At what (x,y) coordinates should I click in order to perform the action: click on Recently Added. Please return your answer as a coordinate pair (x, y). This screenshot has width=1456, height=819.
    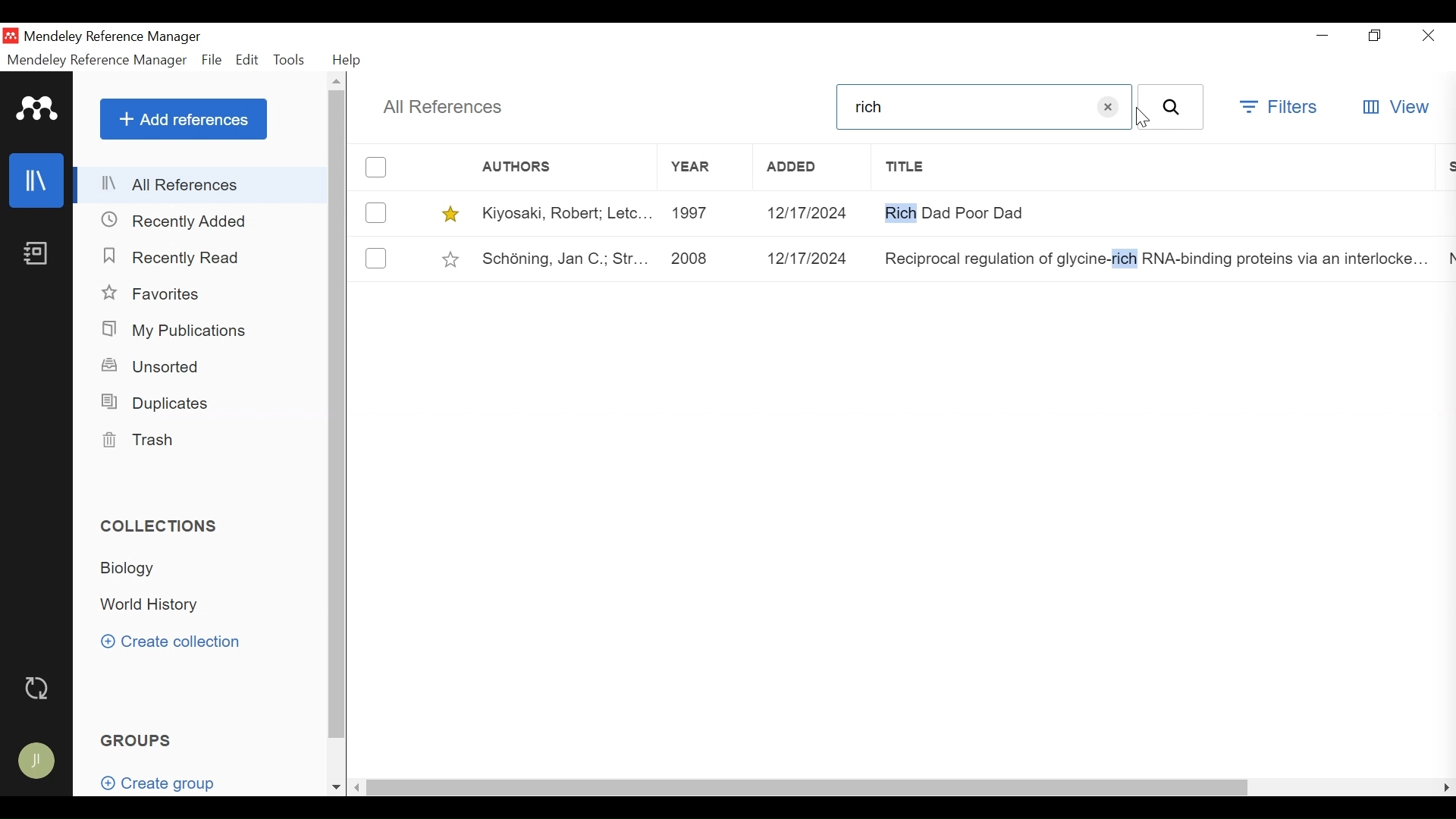
    Looking at the image, I should click on (180, 221).